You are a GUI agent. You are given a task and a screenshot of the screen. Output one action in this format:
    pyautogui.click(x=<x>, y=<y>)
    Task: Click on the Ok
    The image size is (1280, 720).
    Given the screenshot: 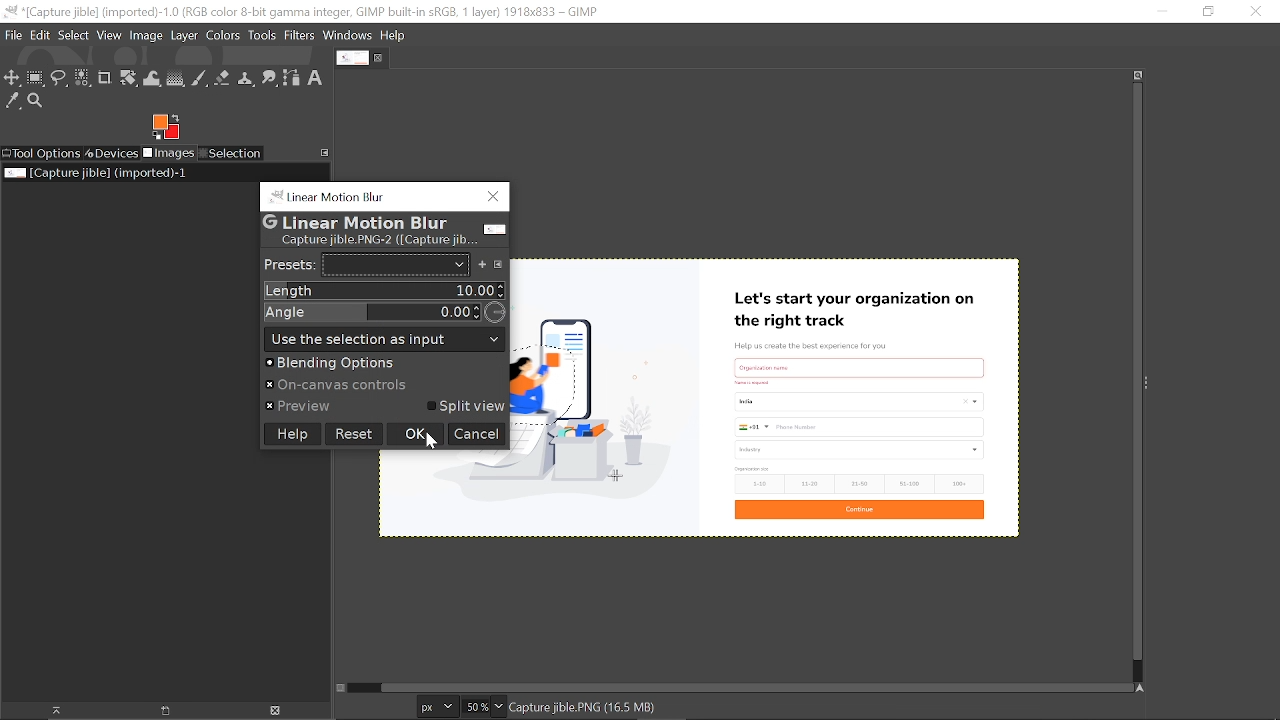 What is the action you would take?
    pyautogui.click(x=415, y=435)
    